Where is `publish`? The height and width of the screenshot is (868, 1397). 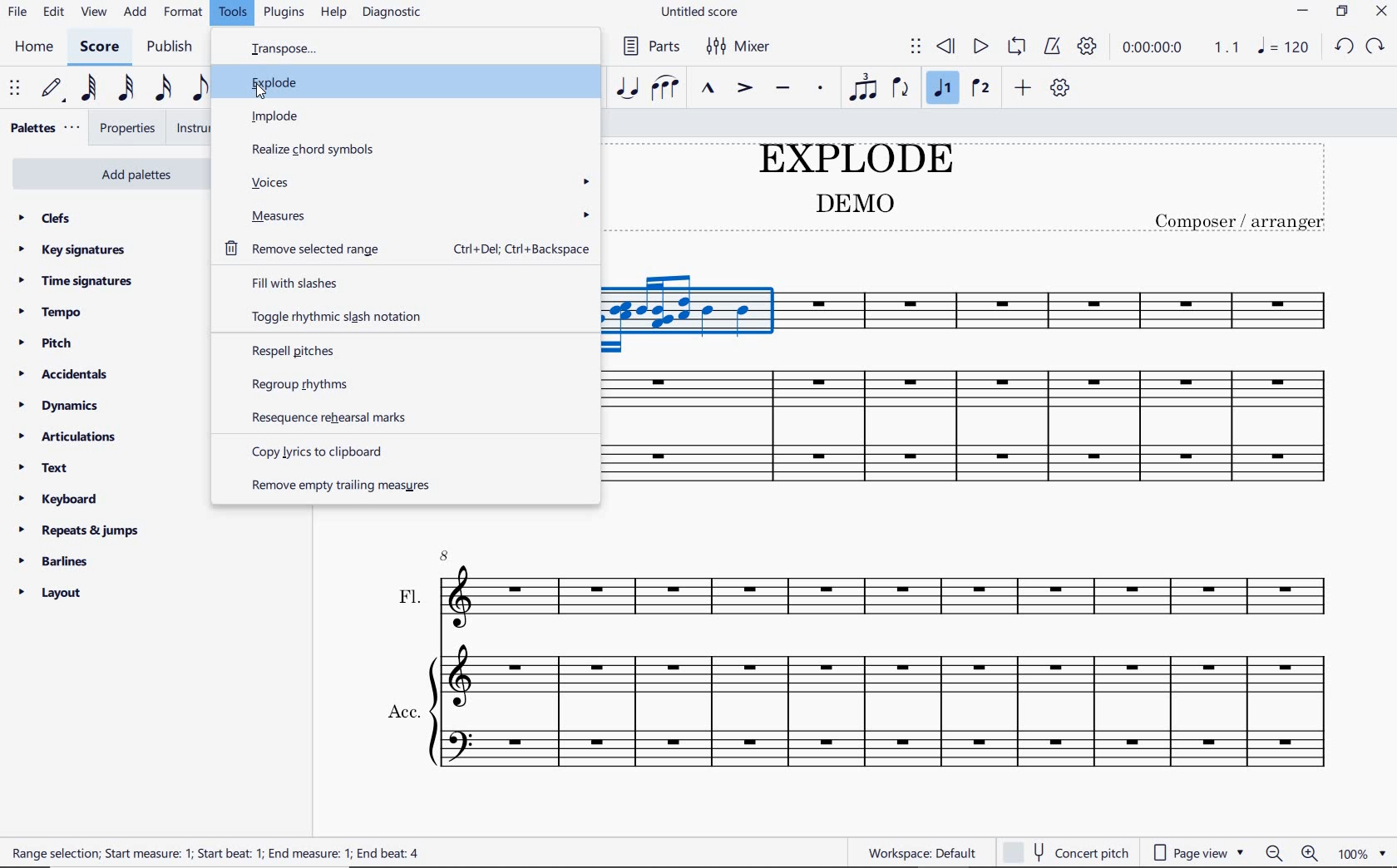 publish is located at coordinates (170, 47).